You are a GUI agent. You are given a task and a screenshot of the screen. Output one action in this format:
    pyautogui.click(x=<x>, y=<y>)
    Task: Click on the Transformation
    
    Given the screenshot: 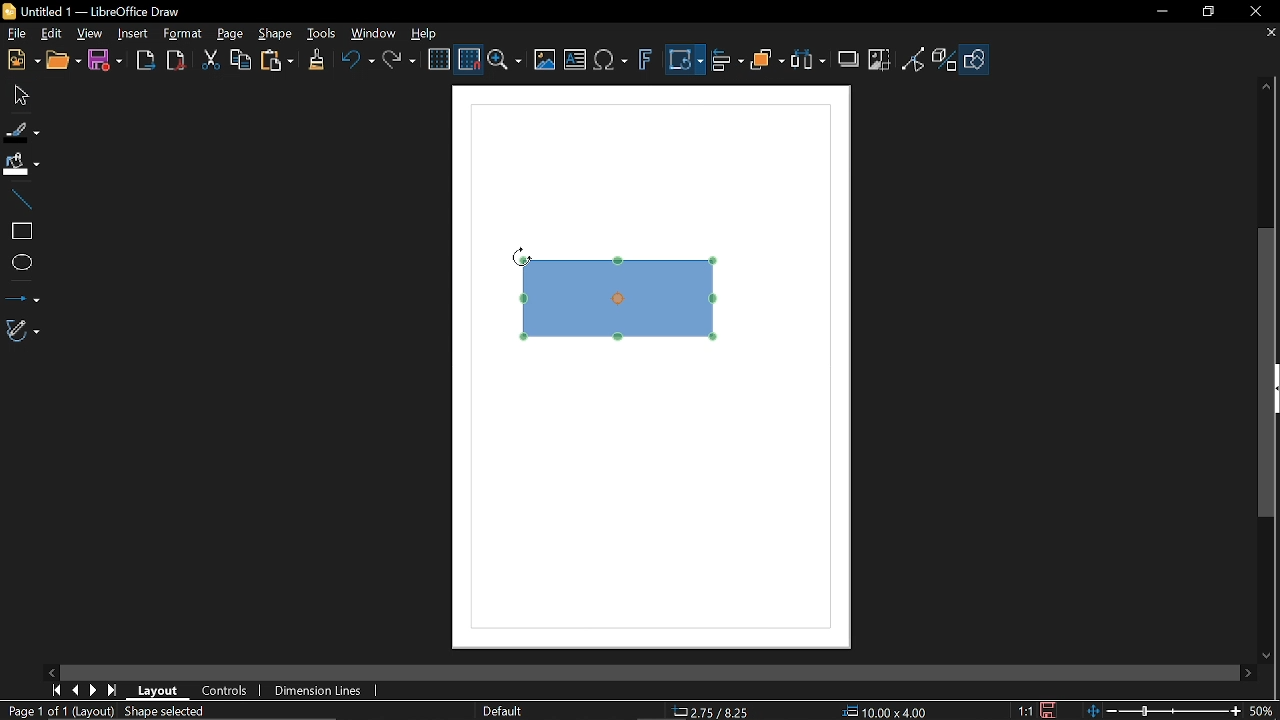 What is the action you would take?
    pyautogui.click(x=685, y=62)
    